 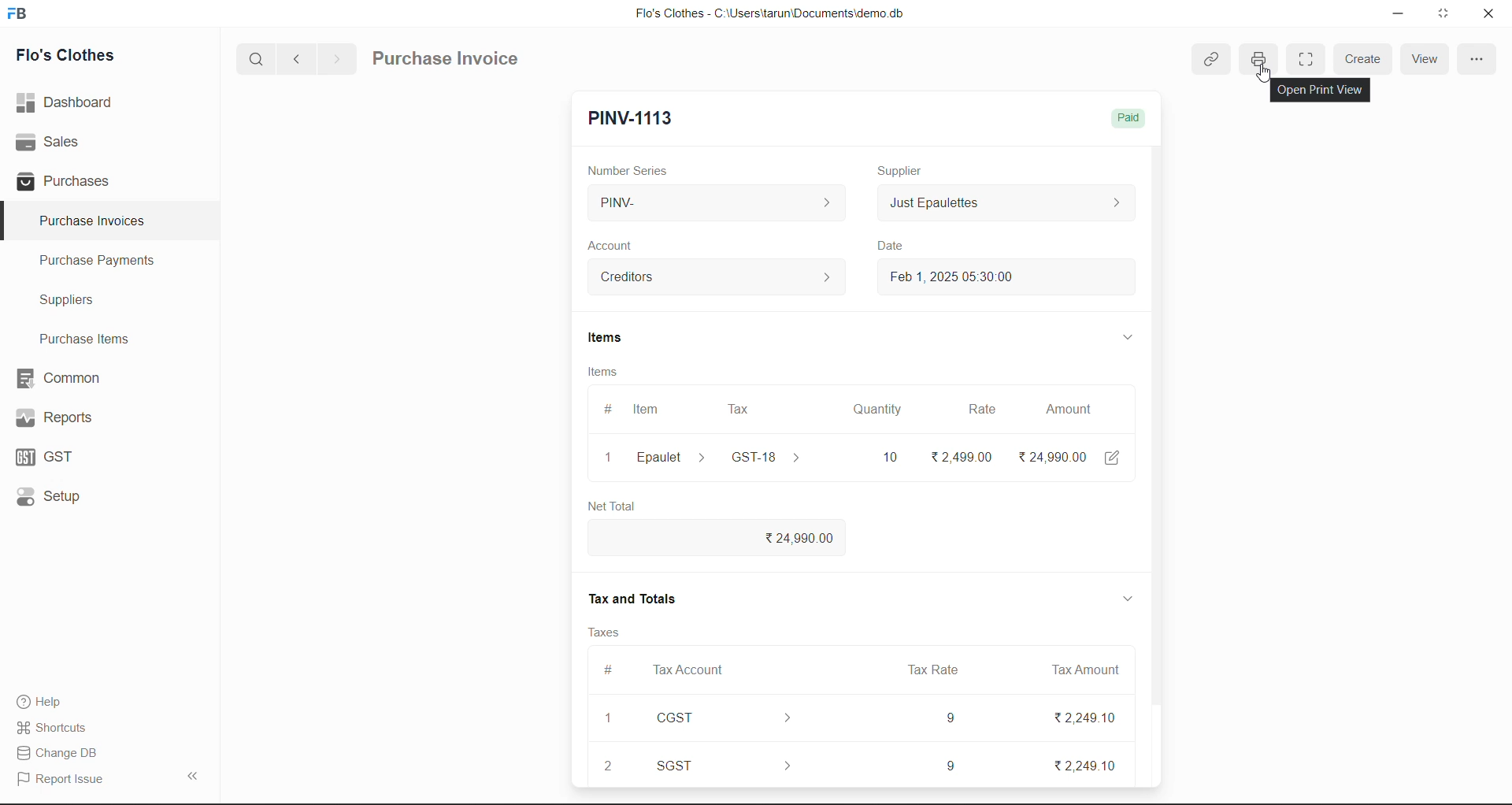 What do you see at coordinates (93, 221) in the screenshot?
I see `Purchase Invoices` at bounding box center [93, 221].